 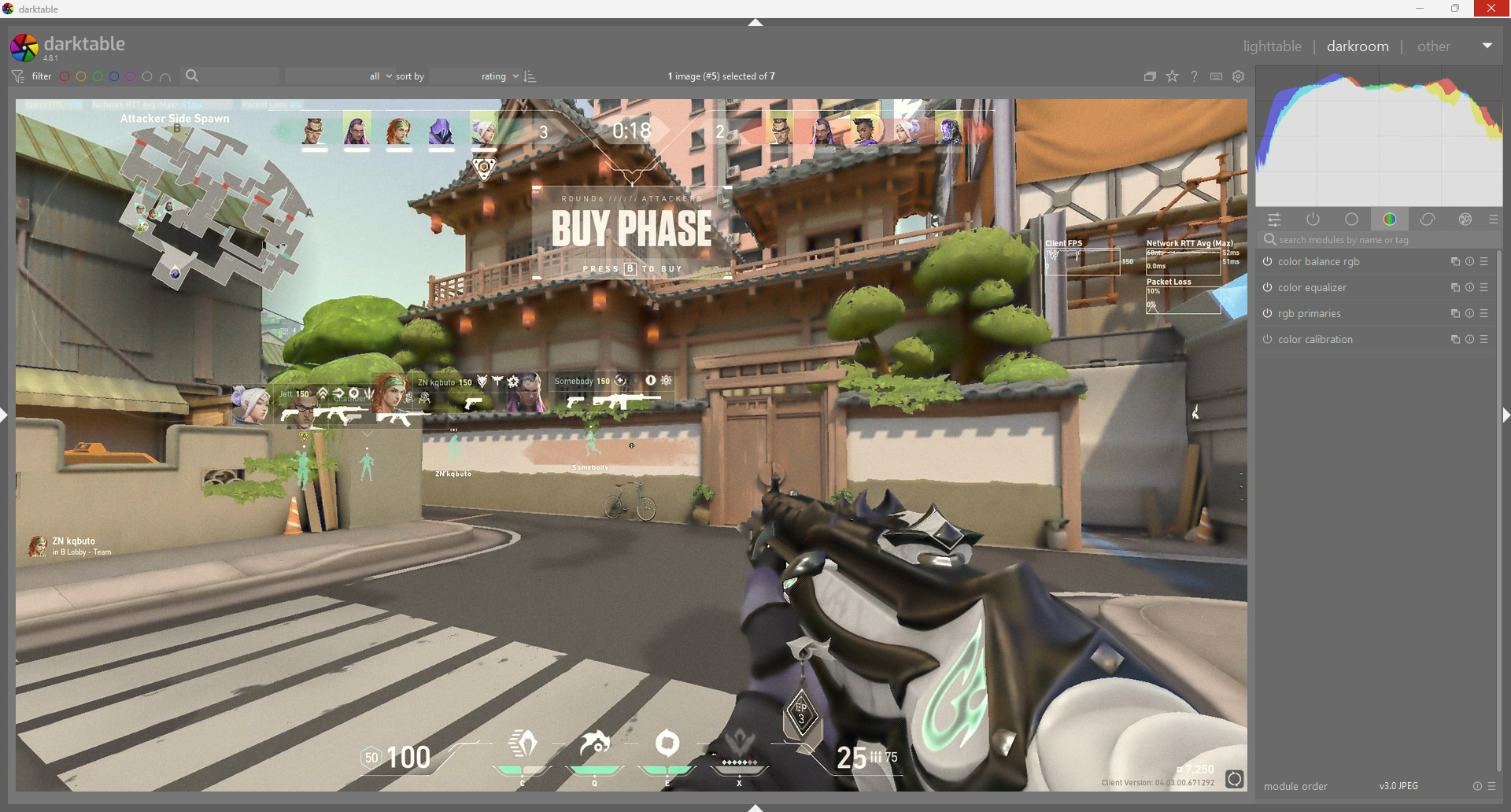 I want to click on scroll bar, so click(x=1500, y=511).